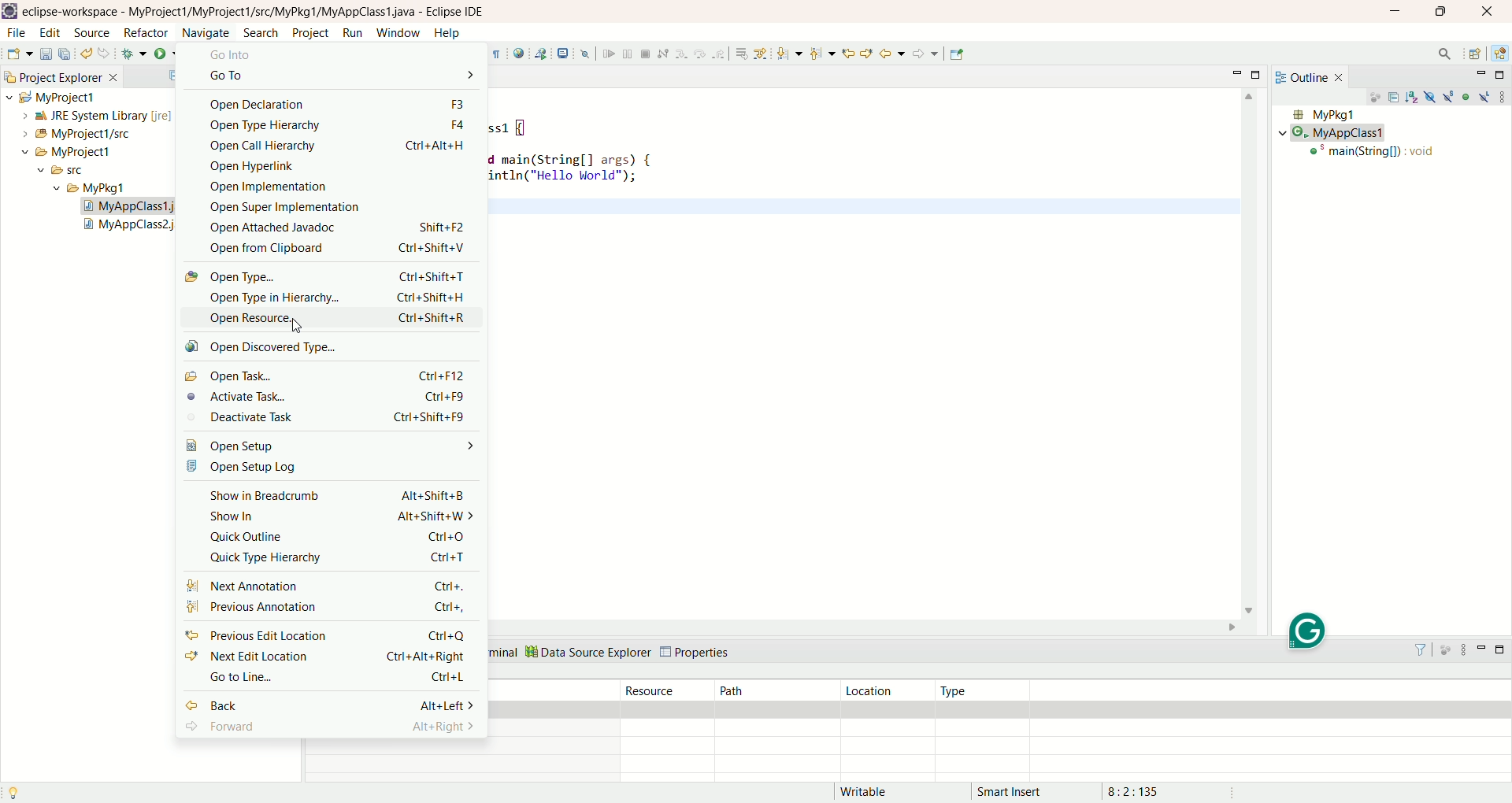  I want to click on src, so click(76, 172).